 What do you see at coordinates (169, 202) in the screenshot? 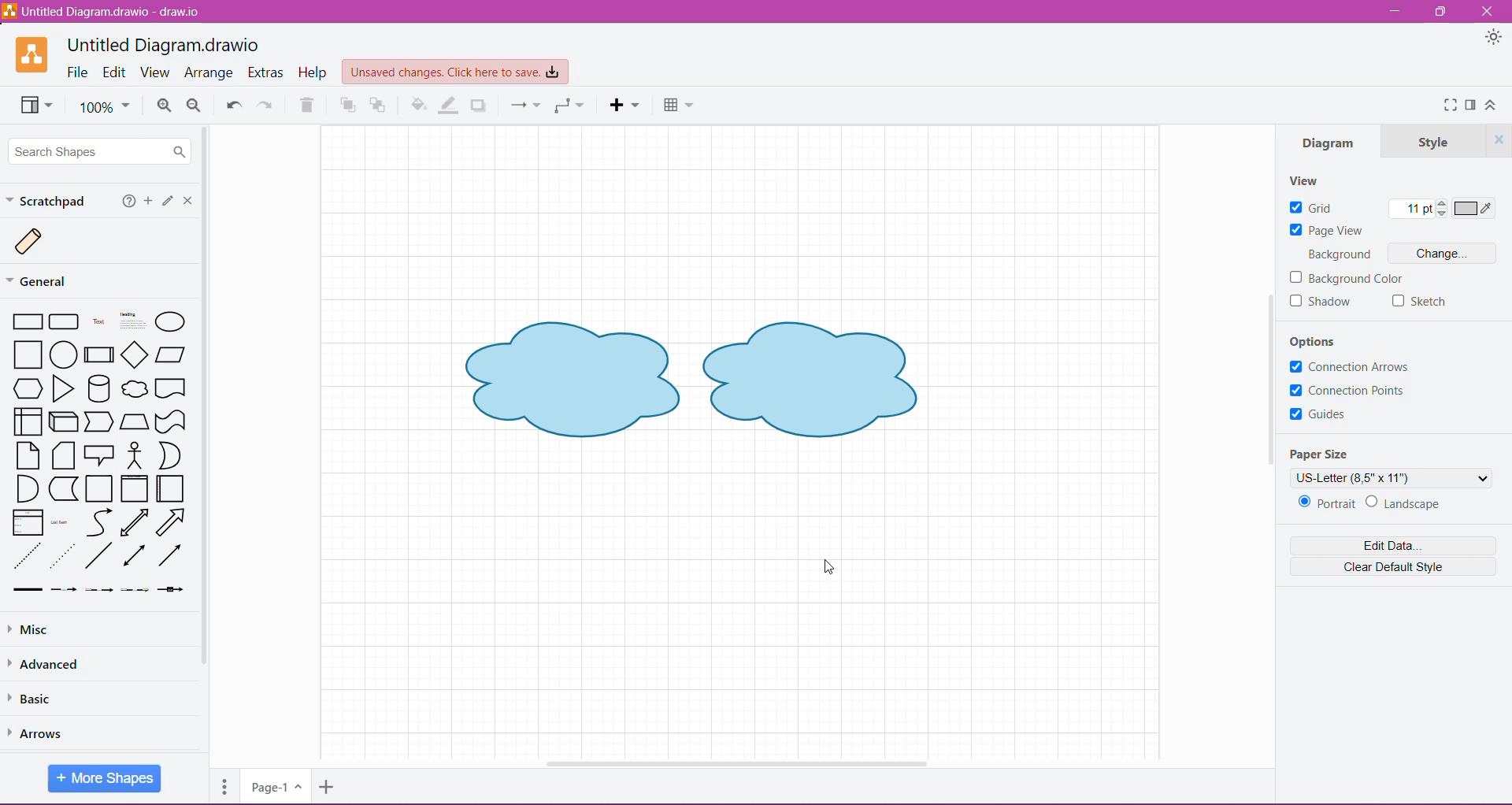
I see `Click or drag and drop shapes` at bounding box center [169, 202].